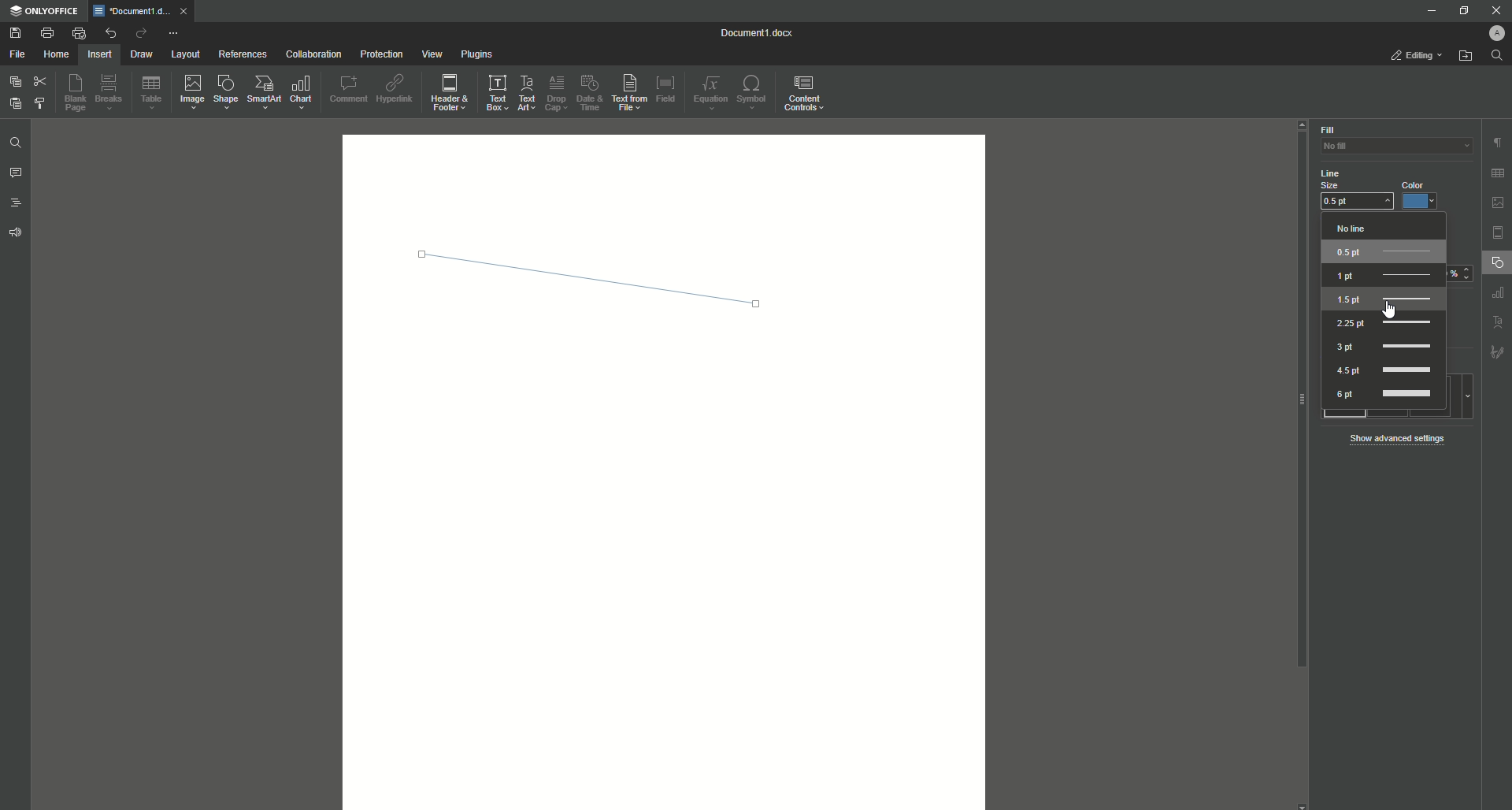  Describe the element at coordinates (16, 33) in the screenshot. I see `Save` at that location.